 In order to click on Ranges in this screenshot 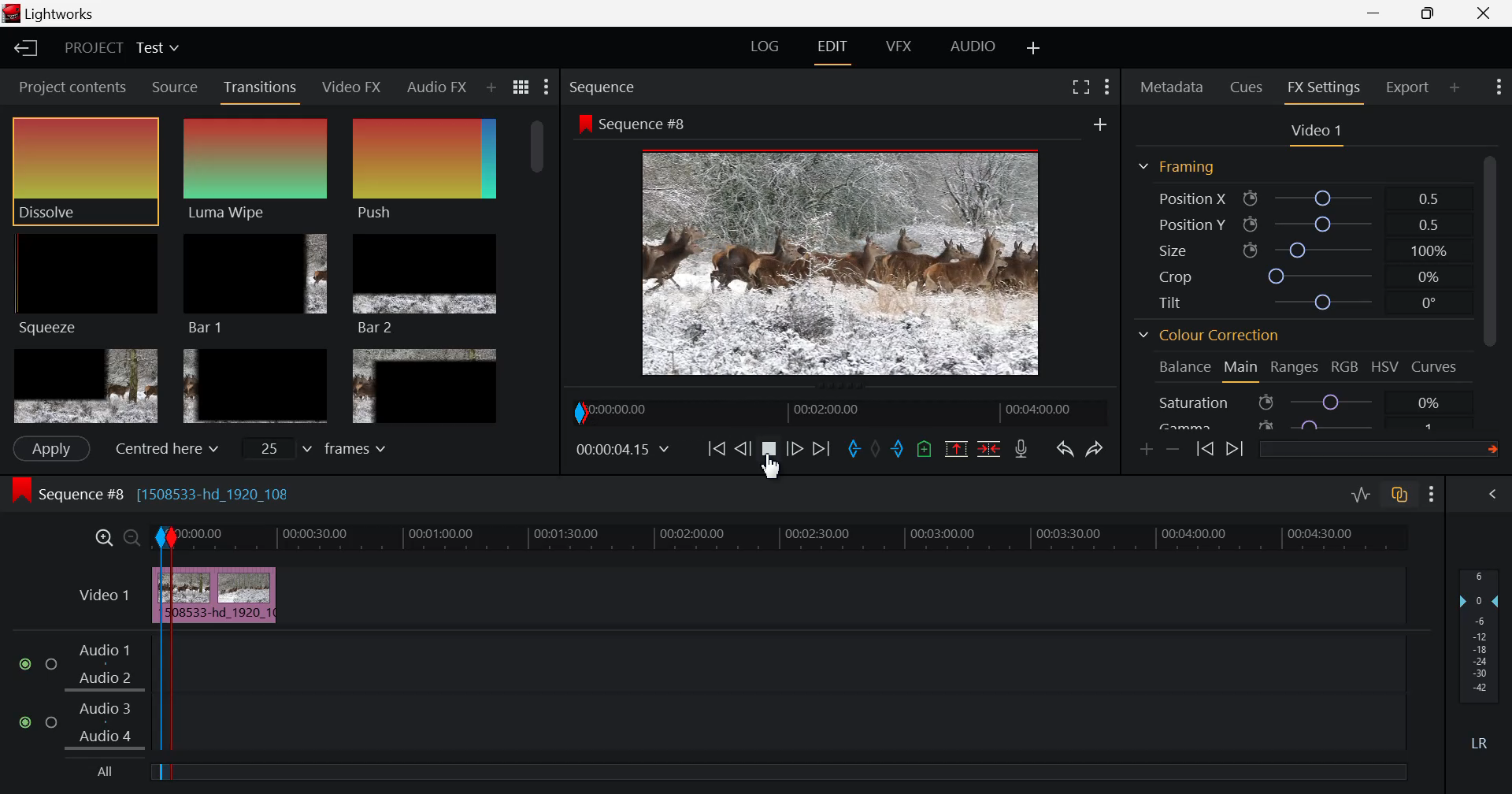, I will do `click(1298, 369)`.